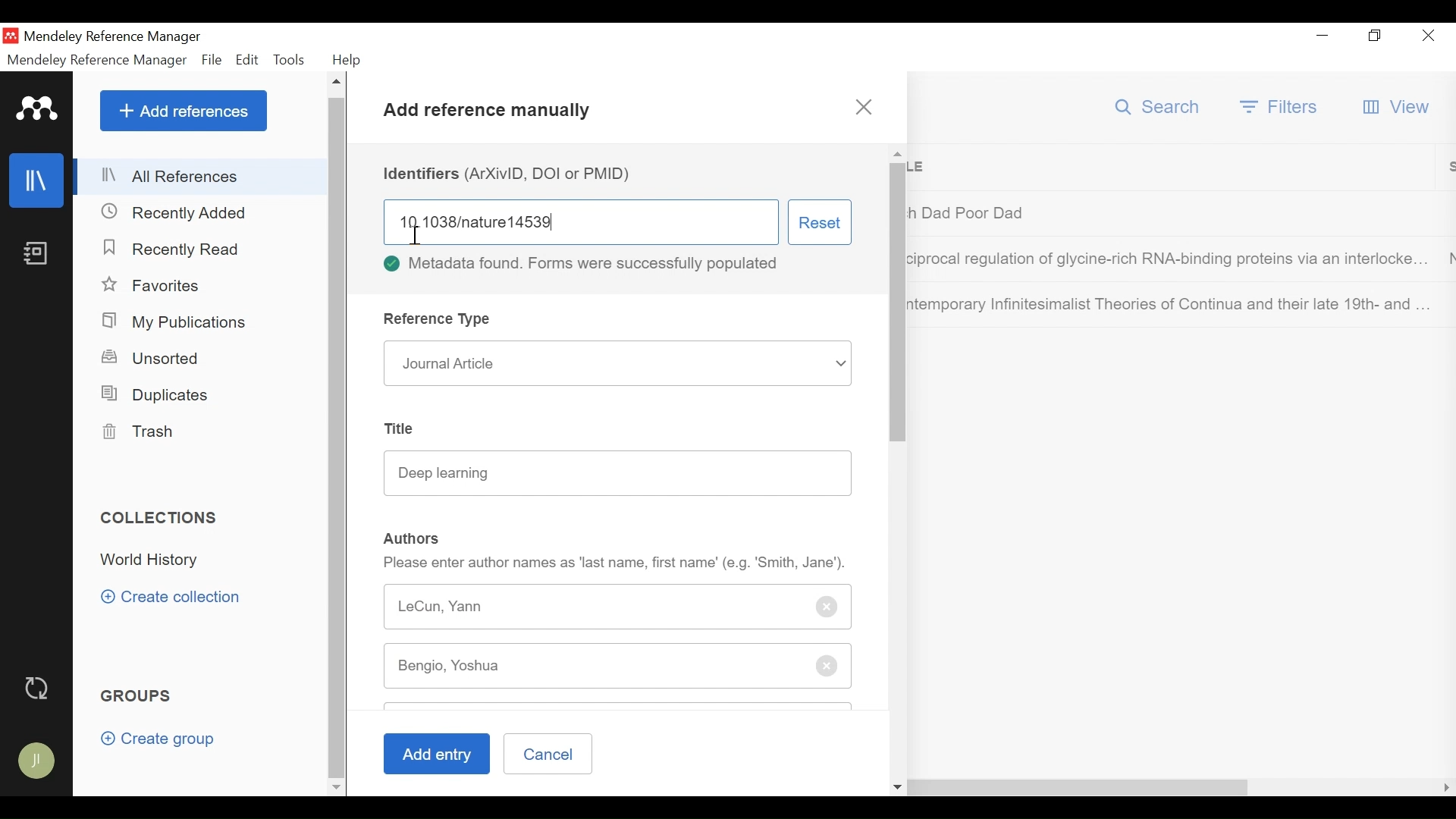 The image size is (1456, 819). Describe the element at coordinates (512, 174) in the screenshot. I see `Identifiers (DOI ArXivID or PMID)` at that location.